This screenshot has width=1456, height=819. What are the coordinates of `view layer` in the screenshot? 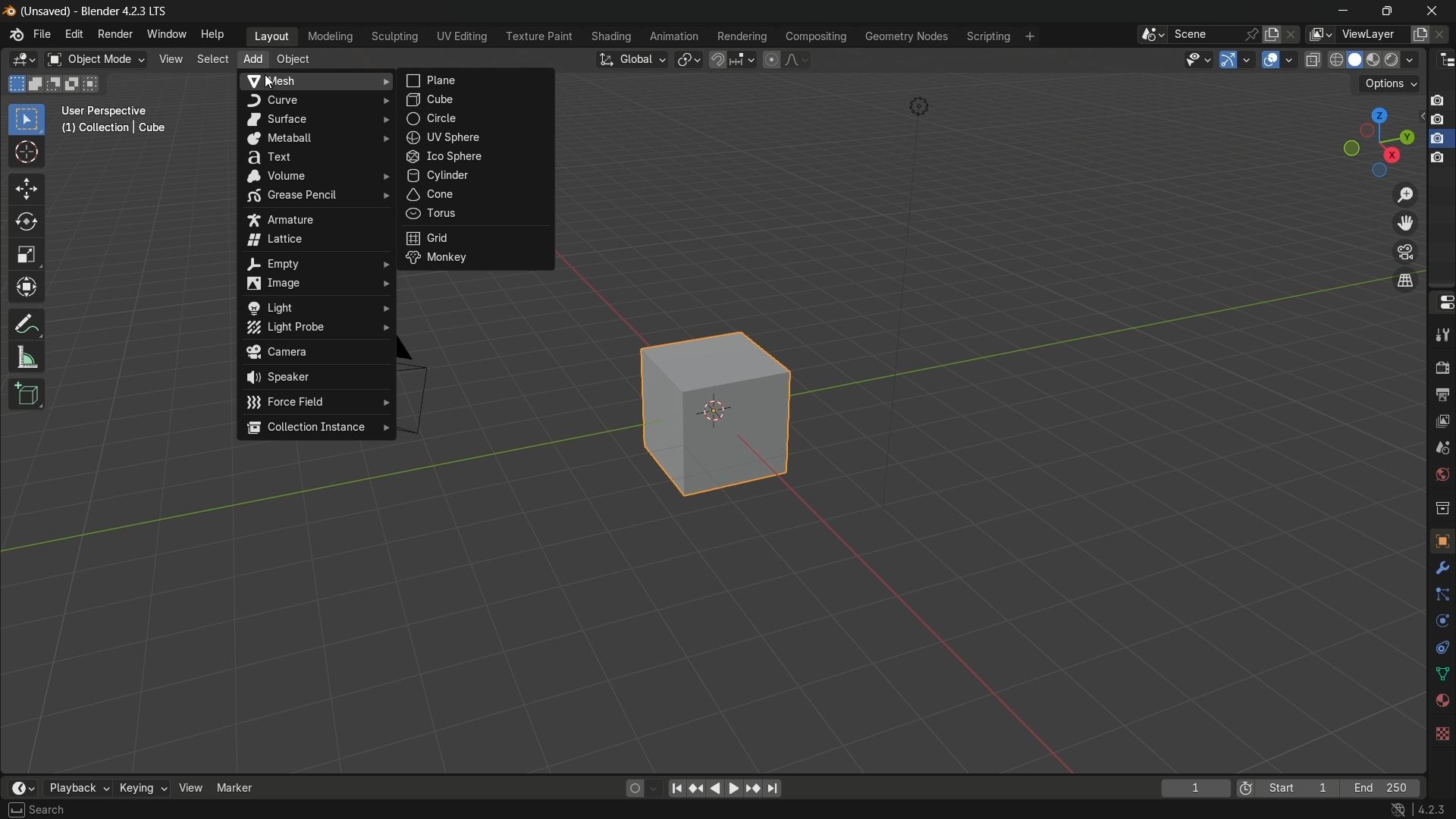 It's located at (1318, 34).